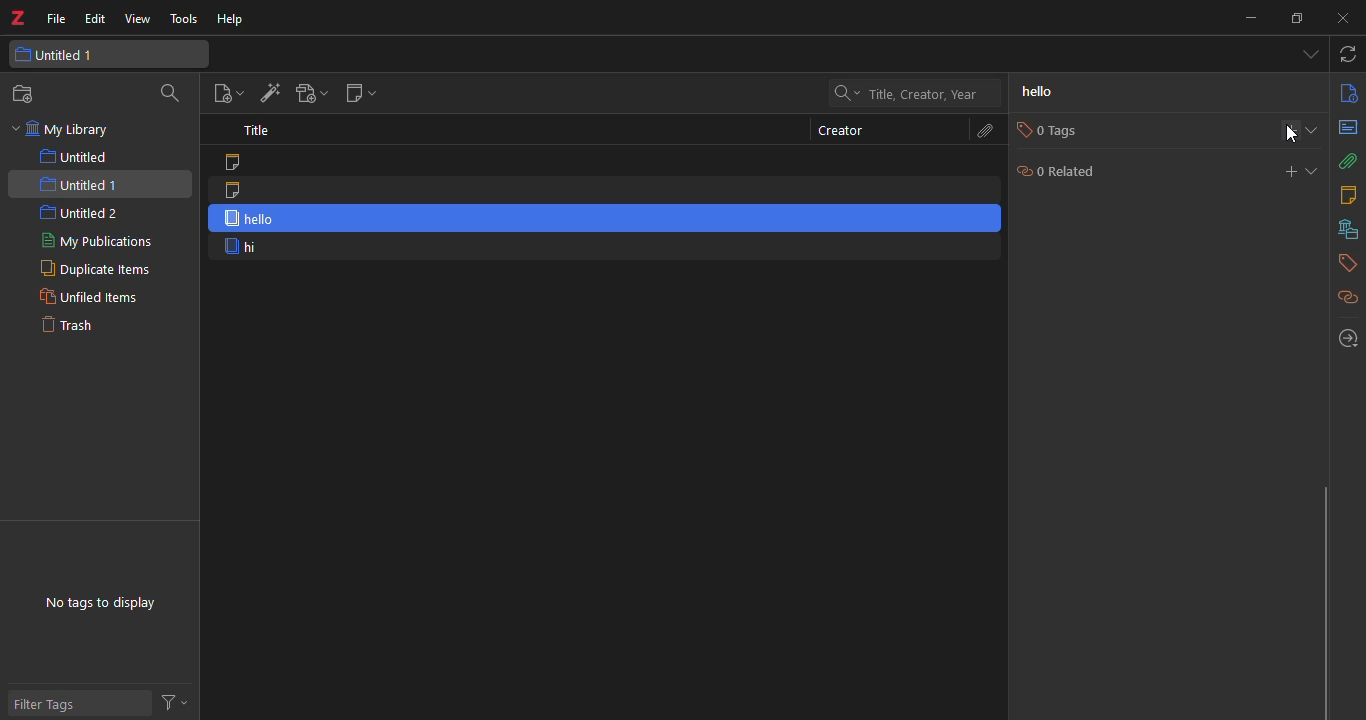 The height and width of the screenshot is (720, 1366). I want to click on edit, so click(95, 19).